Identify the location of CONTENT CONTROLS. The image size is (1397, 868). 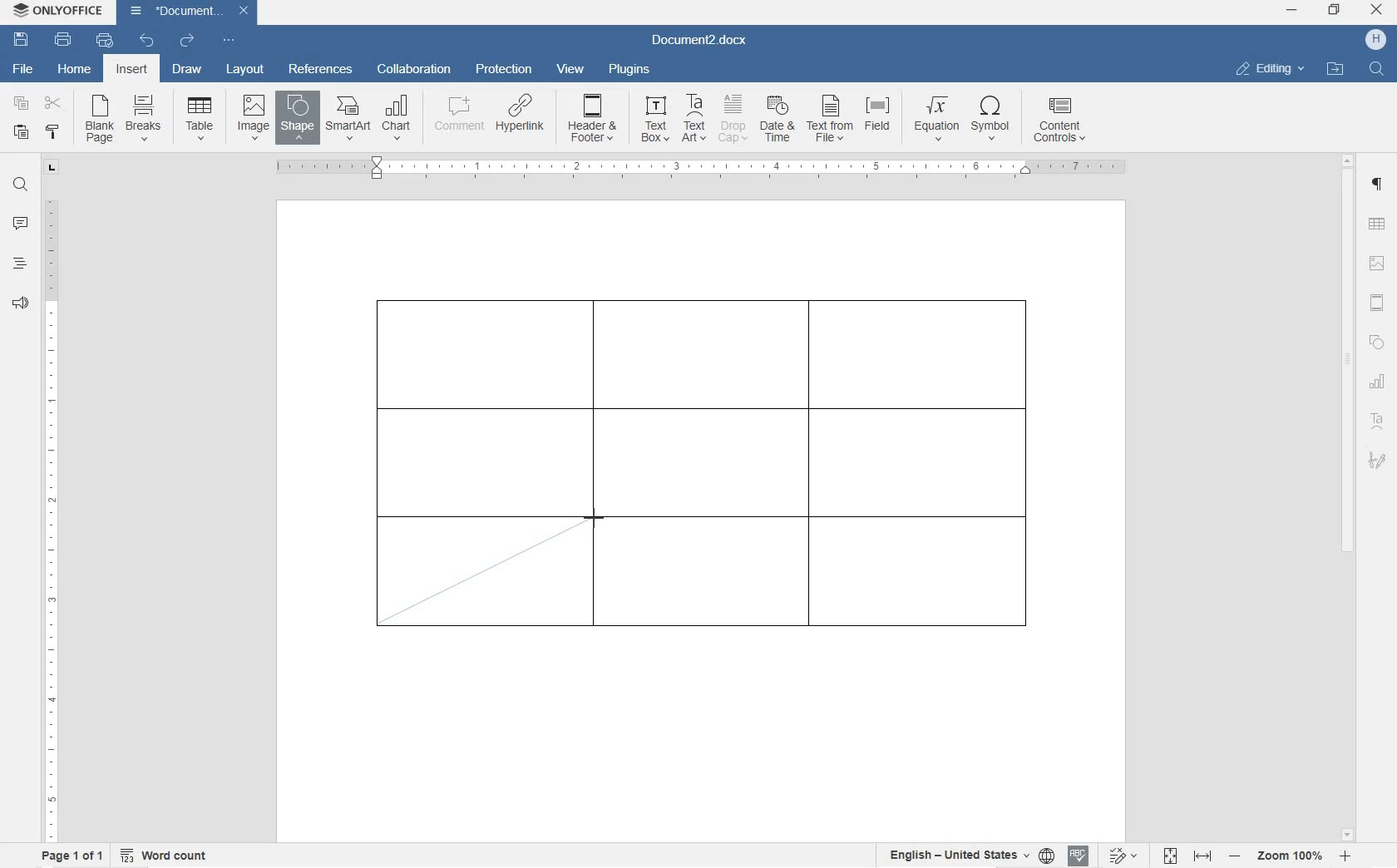
(1057, 122).